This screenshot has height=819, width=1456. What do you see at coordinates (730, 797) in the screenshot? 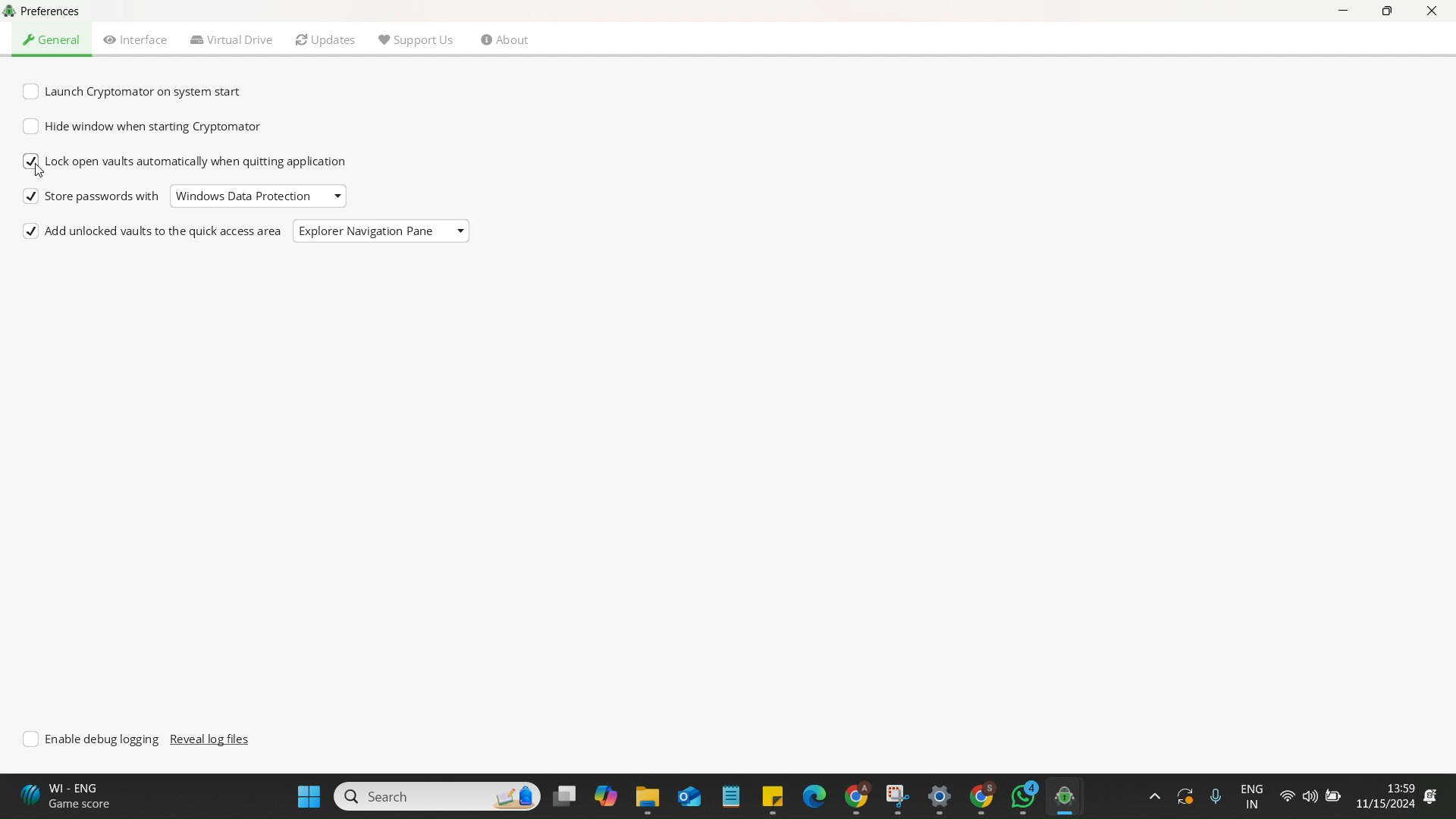
I see `Notepad` at bounding box center [730, 797].